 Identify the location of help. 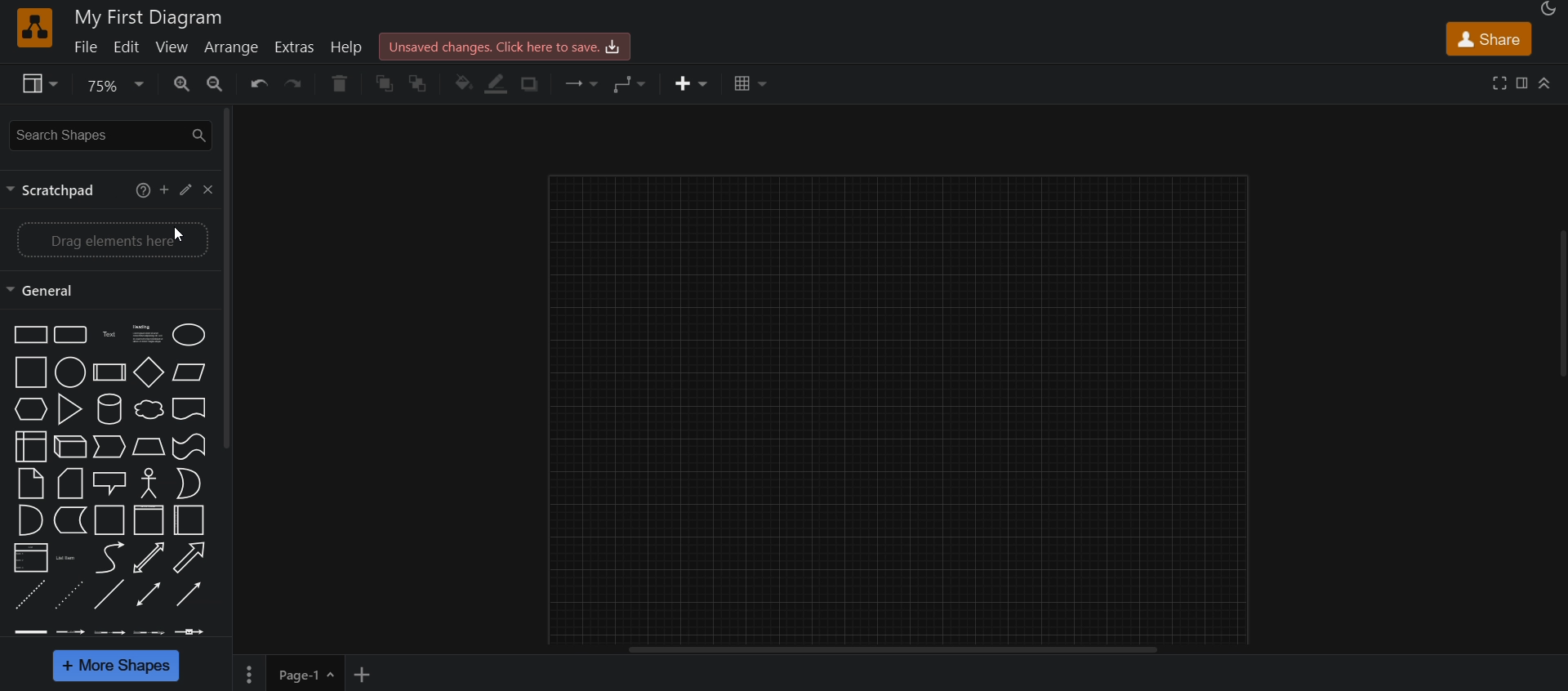
(349, 46).